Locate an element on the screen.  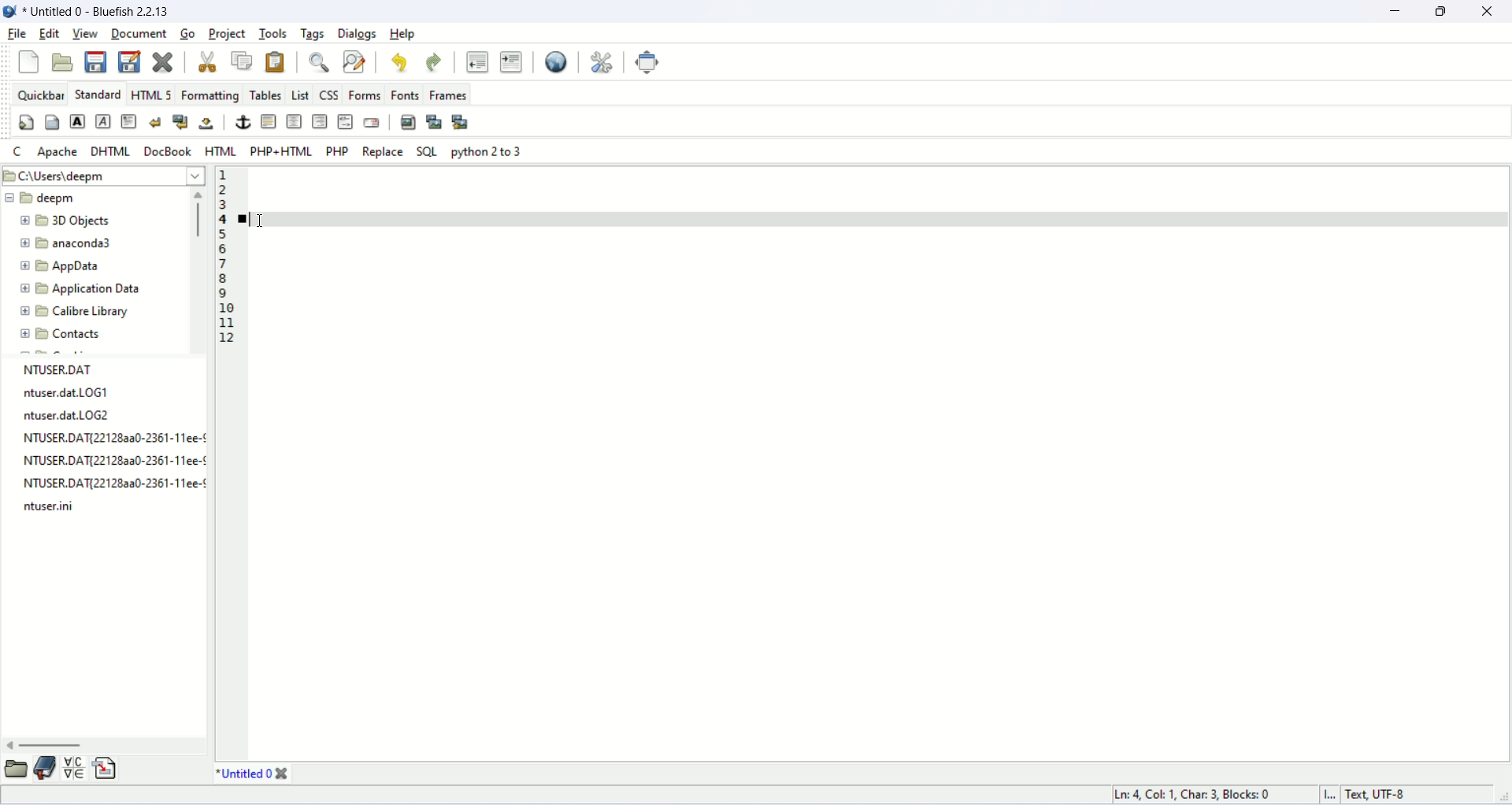
dialogs is located at coordinates (358, 35).